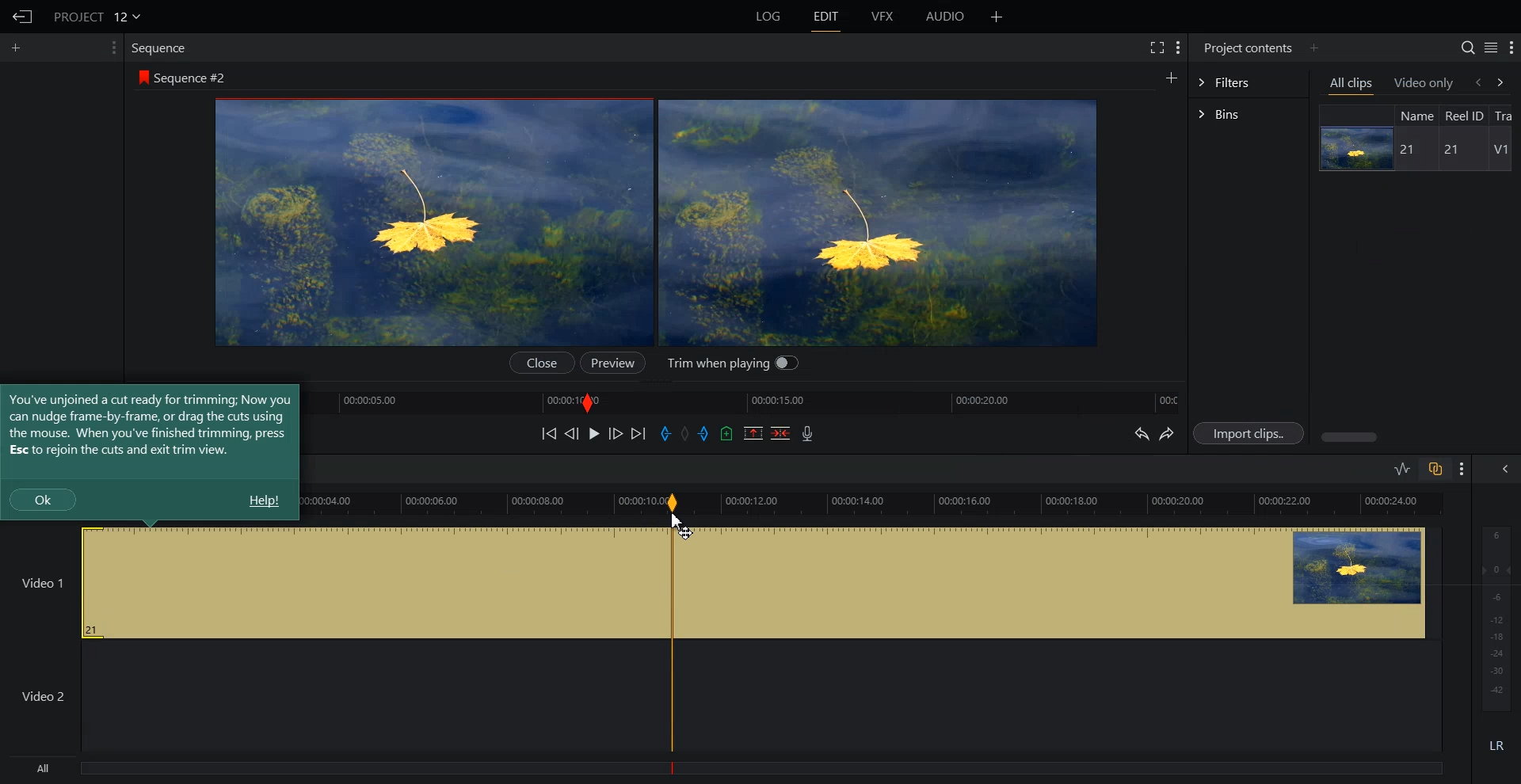  I want to click on Tra, so click(1507, 114).